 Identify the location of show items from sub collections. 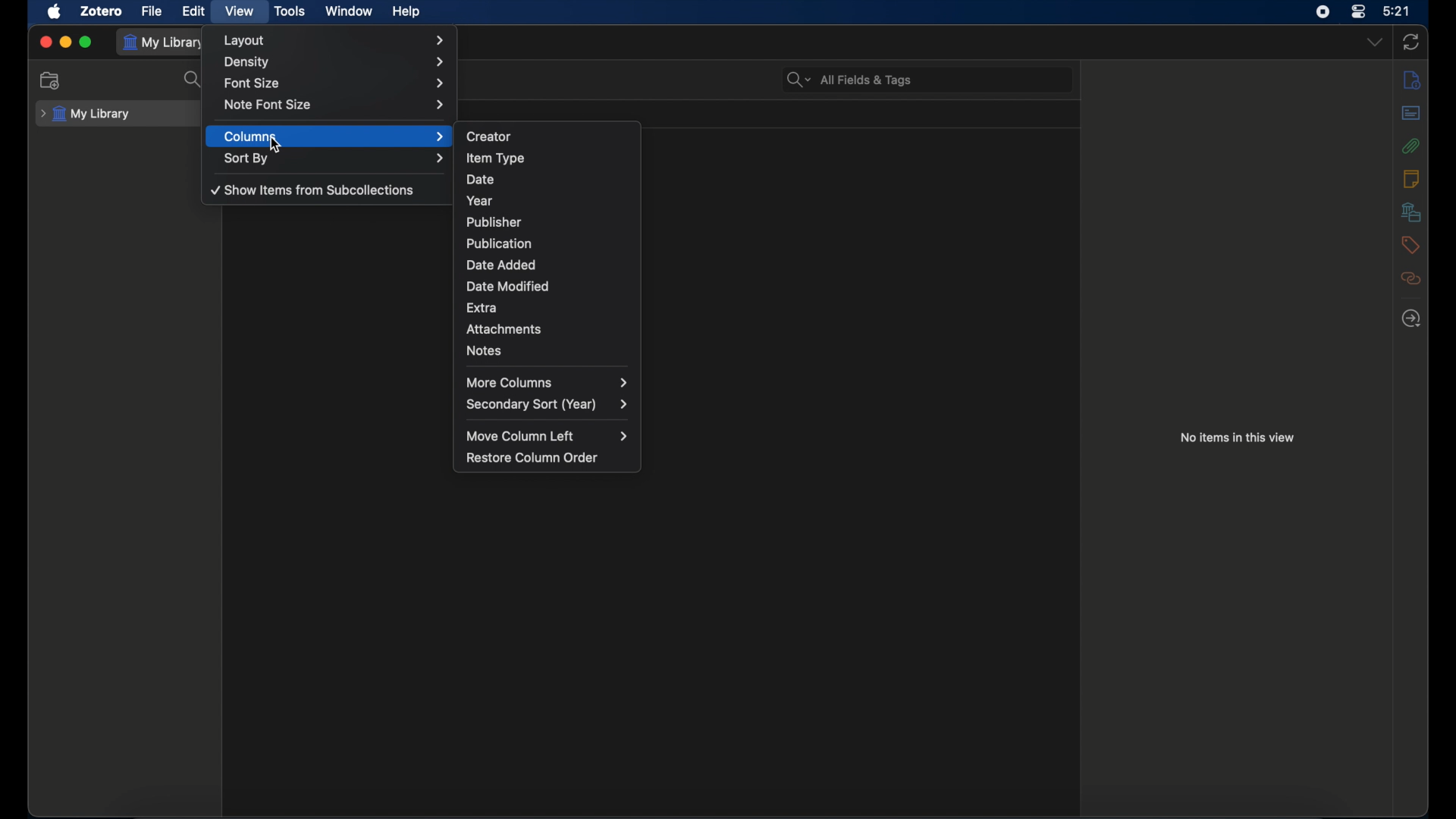
(314, 189).